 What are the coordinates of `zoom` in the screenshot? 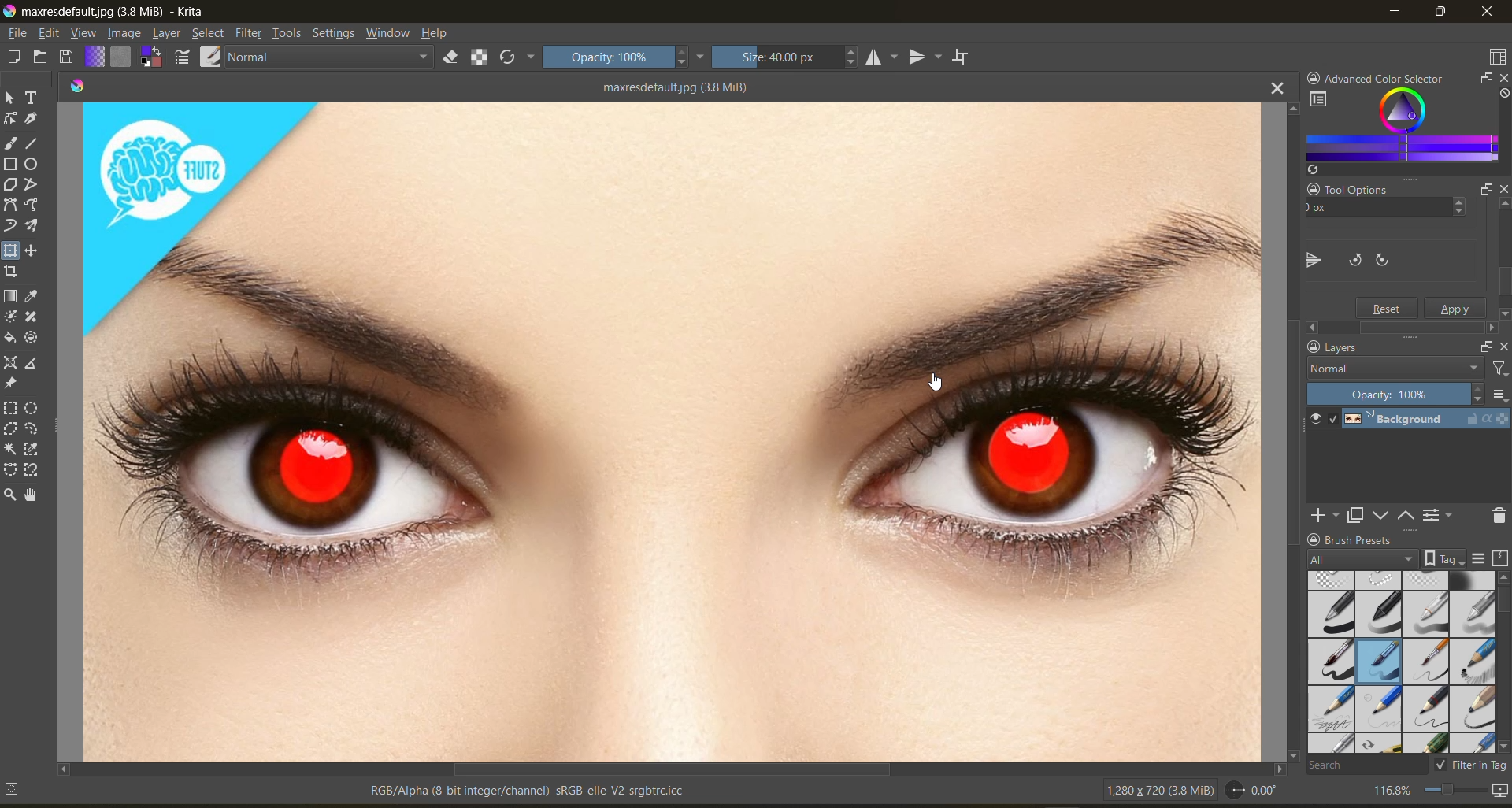 It's located at (1459, 788).